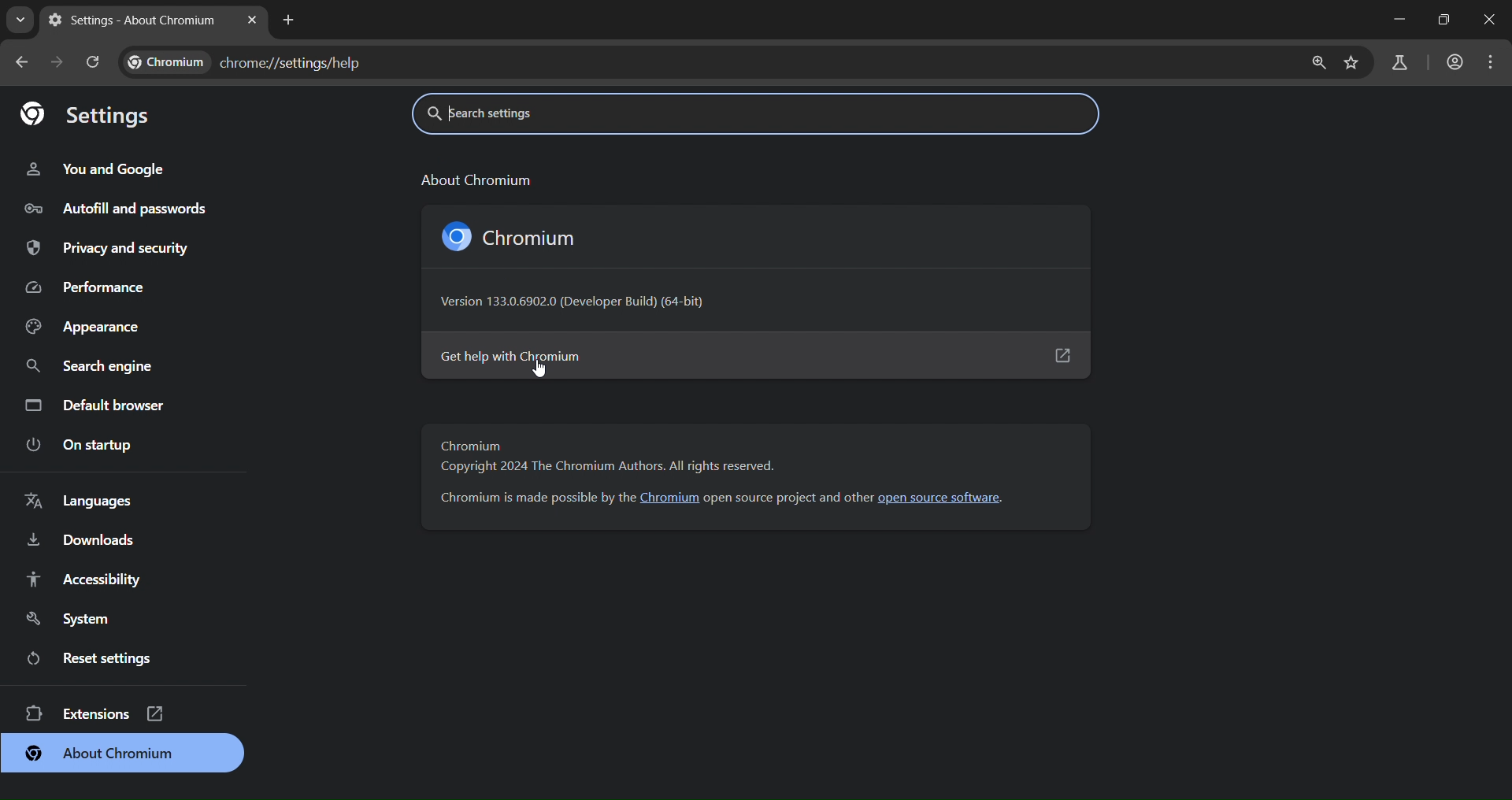 The width and height of the screenshot is (1512, 800). Describe the element at coordinates (472, 446) in the screenshot. I see `Chromium` at that location.